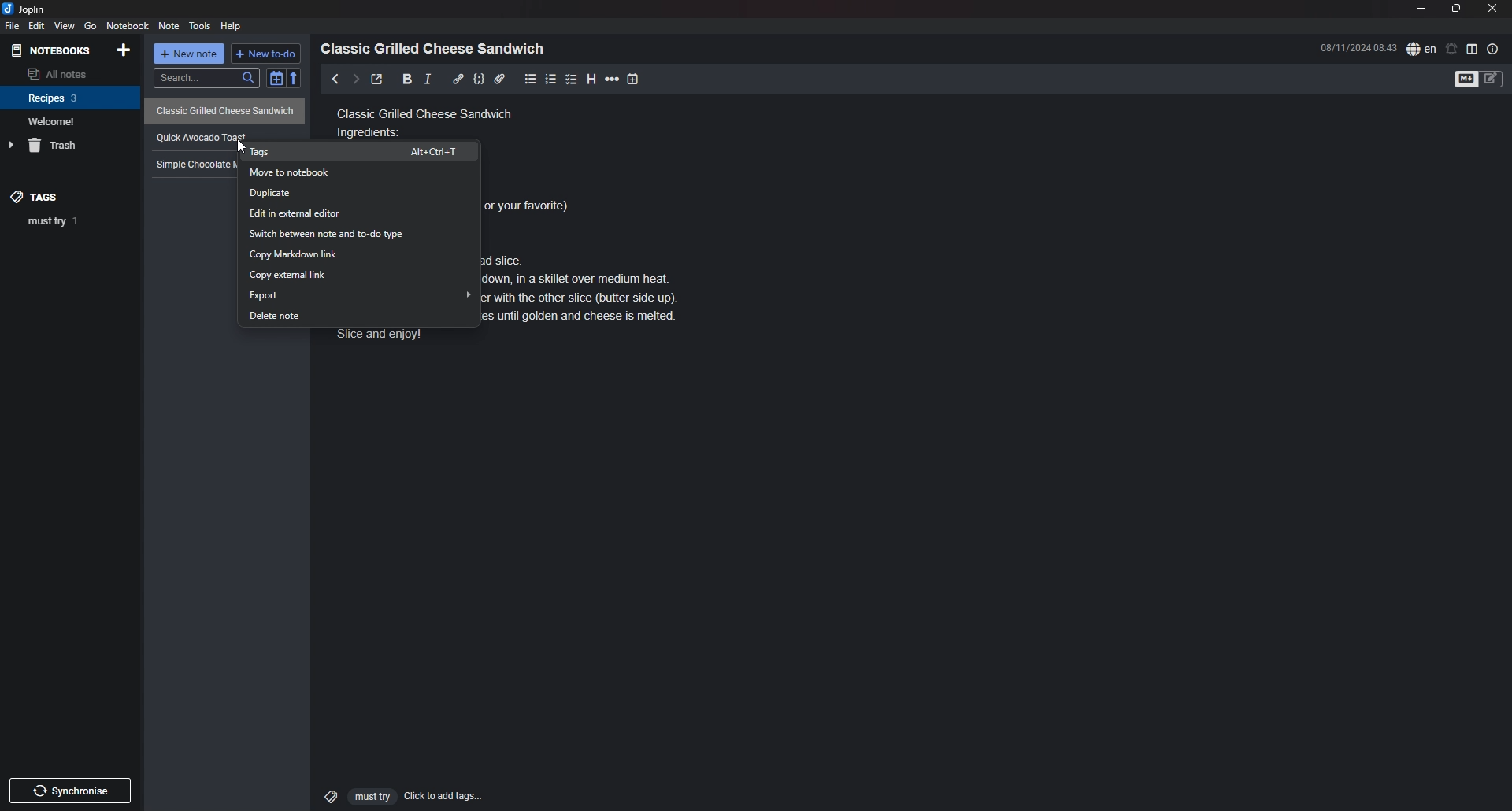 Image resolution: width=1512 pixels, height=811 pixels. Describe the element at coordinates (359, 194) in the screenshot. I see `duplicate` at that location.